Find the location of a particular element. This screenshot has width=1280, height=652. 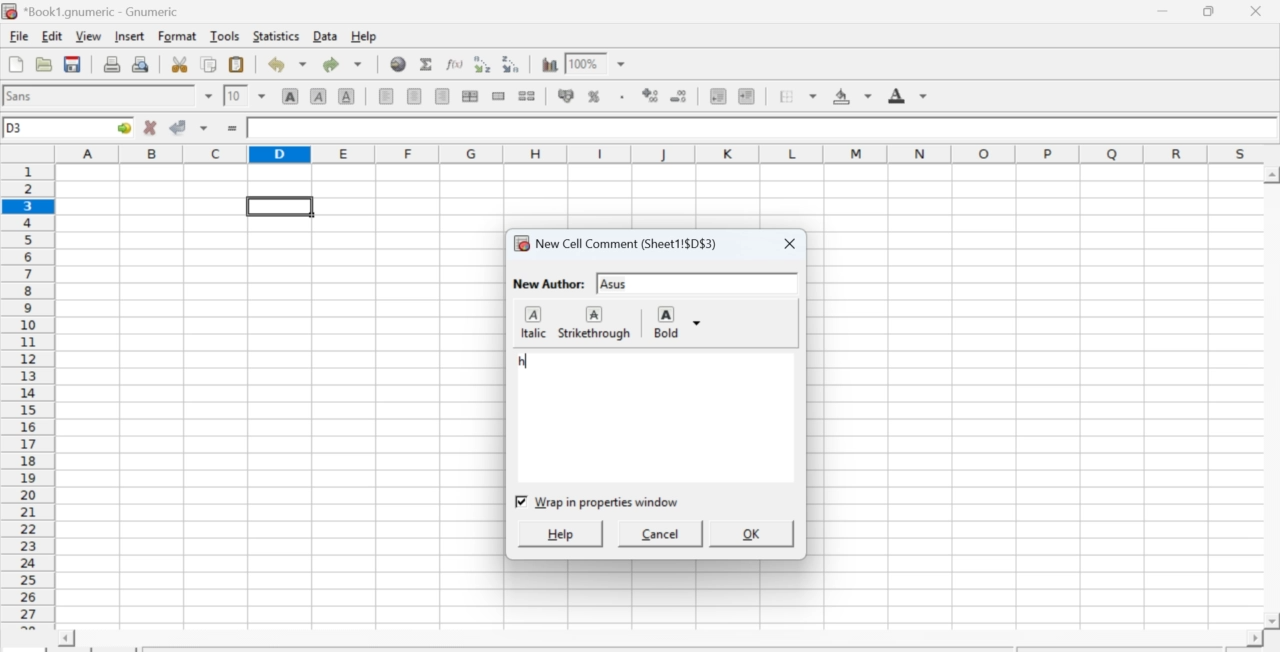

down is located at coordinates (205, 127).